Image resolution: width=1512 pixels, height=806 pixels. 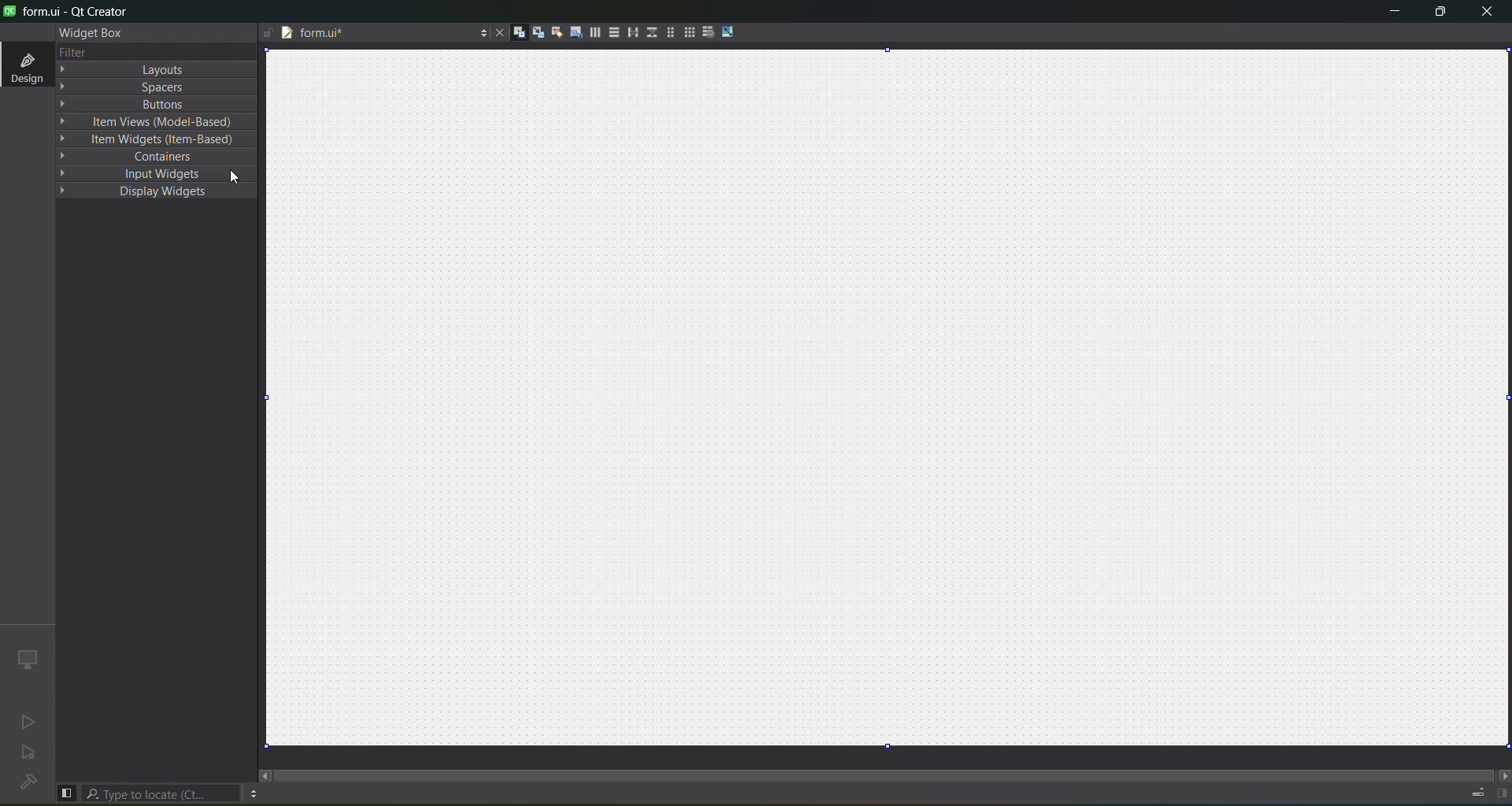 I want to click on icon, so click(x=27, y=657).